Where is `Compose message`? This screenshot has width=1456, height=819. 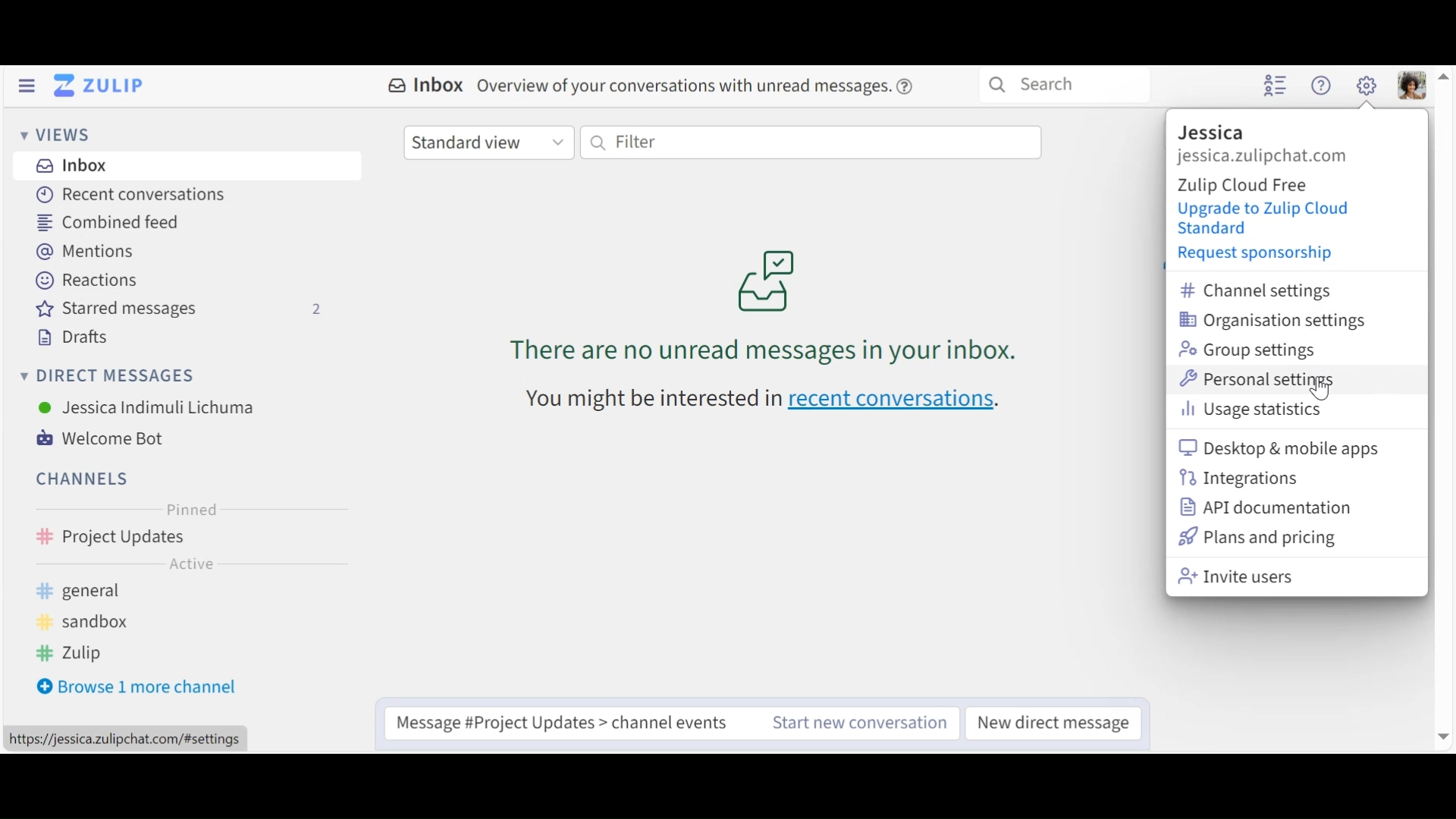
Compose message is located at coordinates (570, 722).